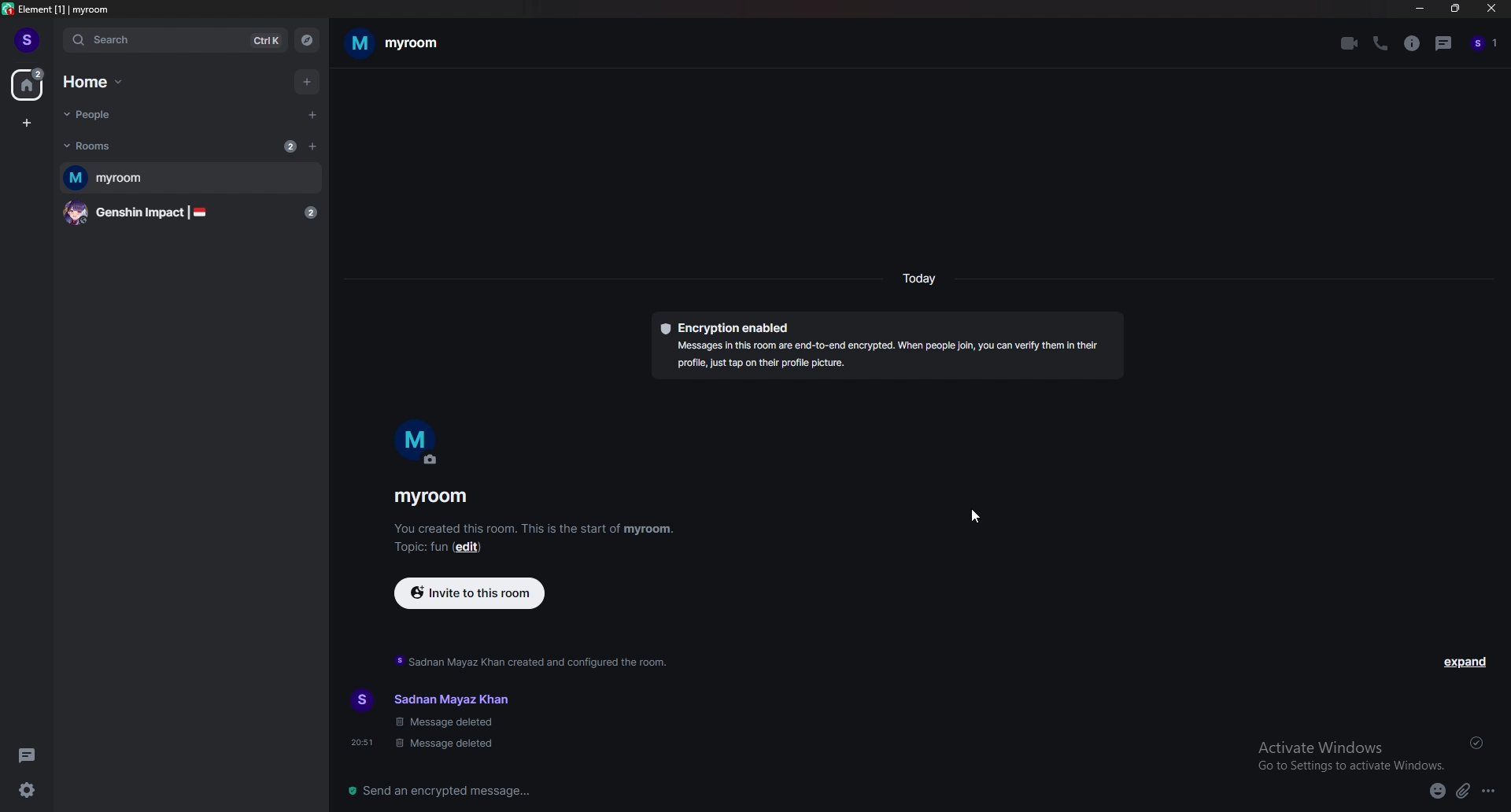 This screenshot has width=1511, height=812. I want to click on new message count, so click(290, 146).